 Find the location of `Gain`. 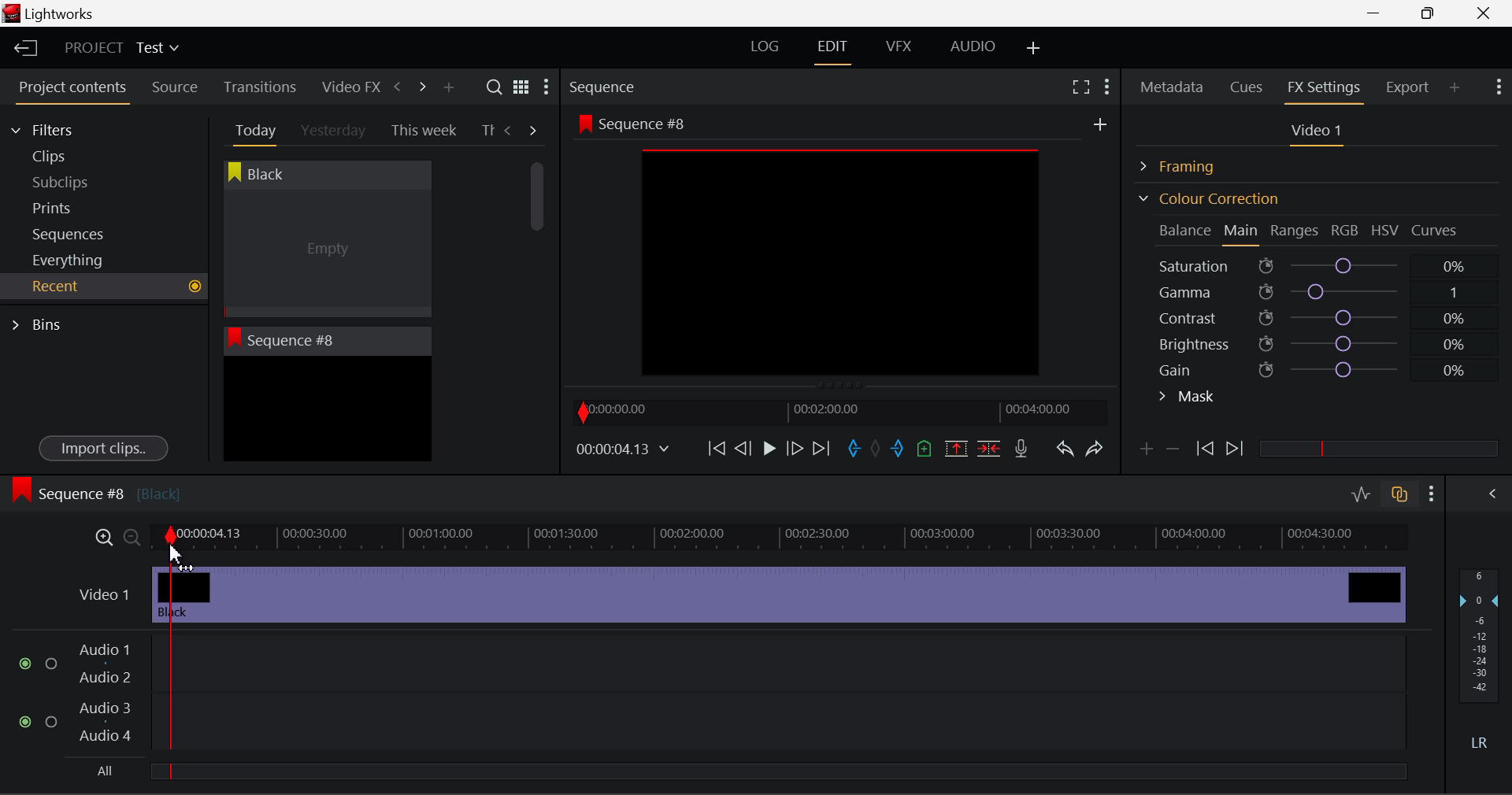

Gain is located at coordinates (1332, 367).